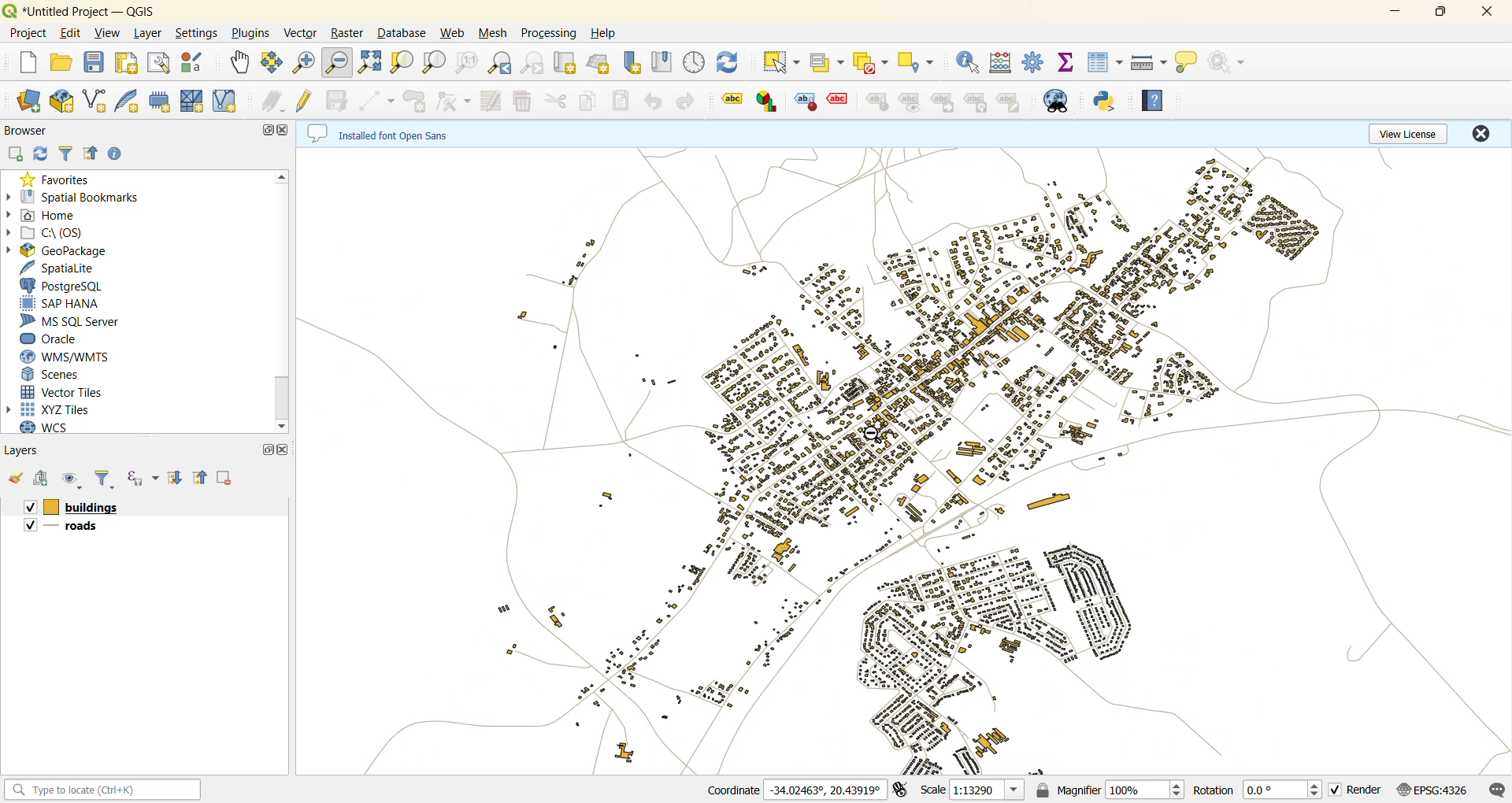 Image resolution: width=1512 pixels, height=803 pixels. What do you see at coordinates (131, 65) in the screenshot?
I see `print layout` at bounding box center [131, 65].